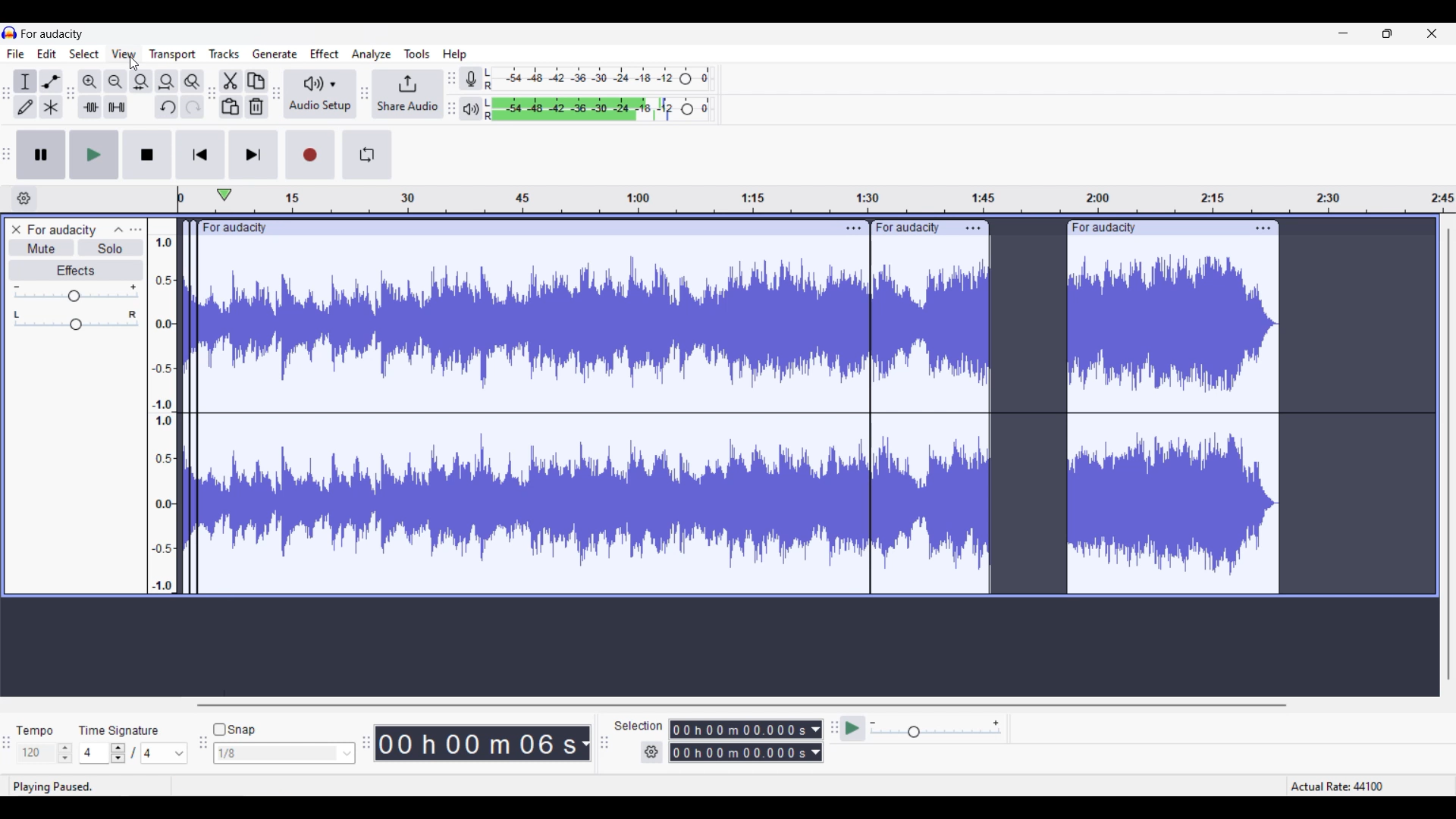 The width and height of the screenshot is (1456, 819). Describe the element at coordinates (74, 270) in the screenshot. I see `Effects` at that location.